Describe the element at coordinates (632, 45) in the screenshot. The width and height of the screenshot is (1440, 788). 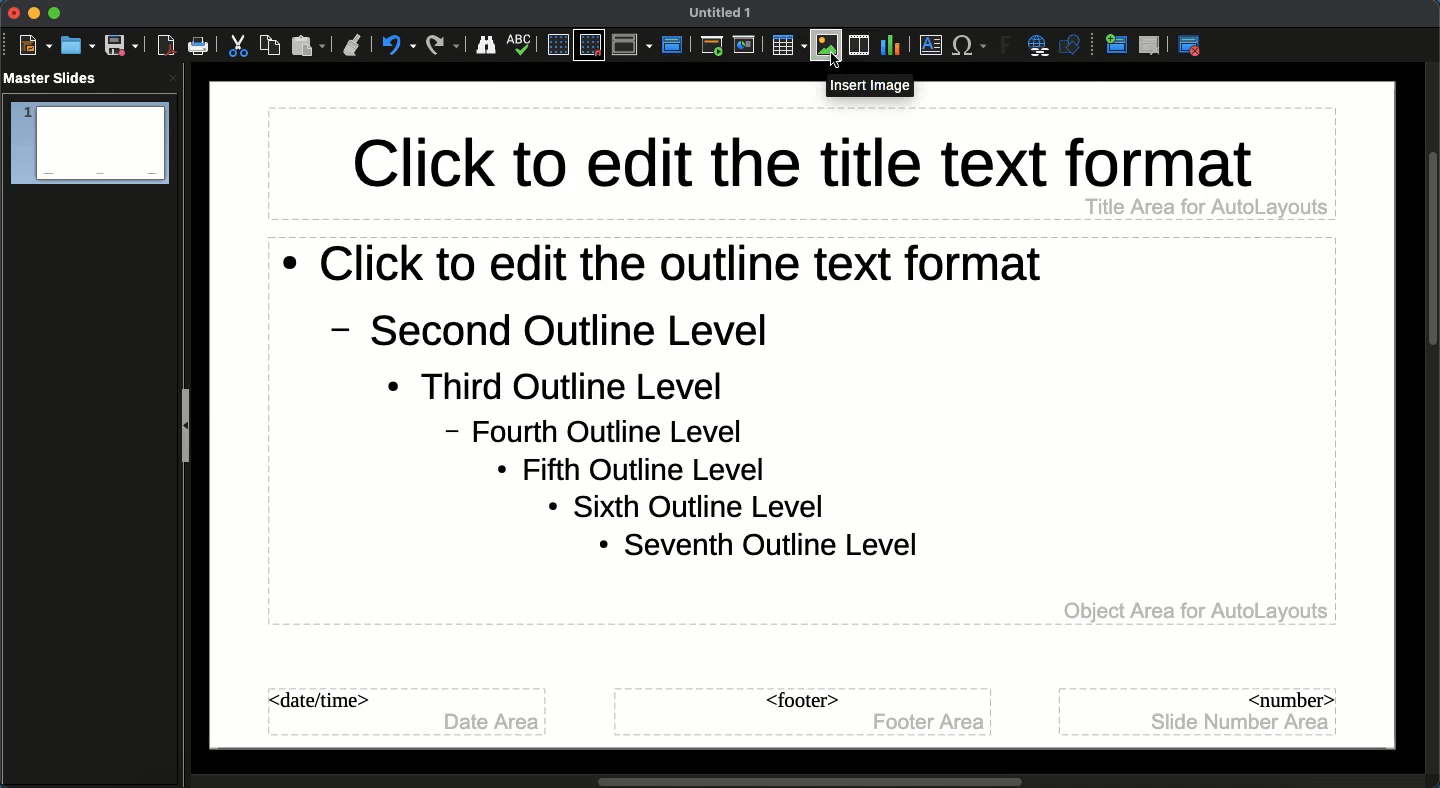
I see `Display views` at that location.